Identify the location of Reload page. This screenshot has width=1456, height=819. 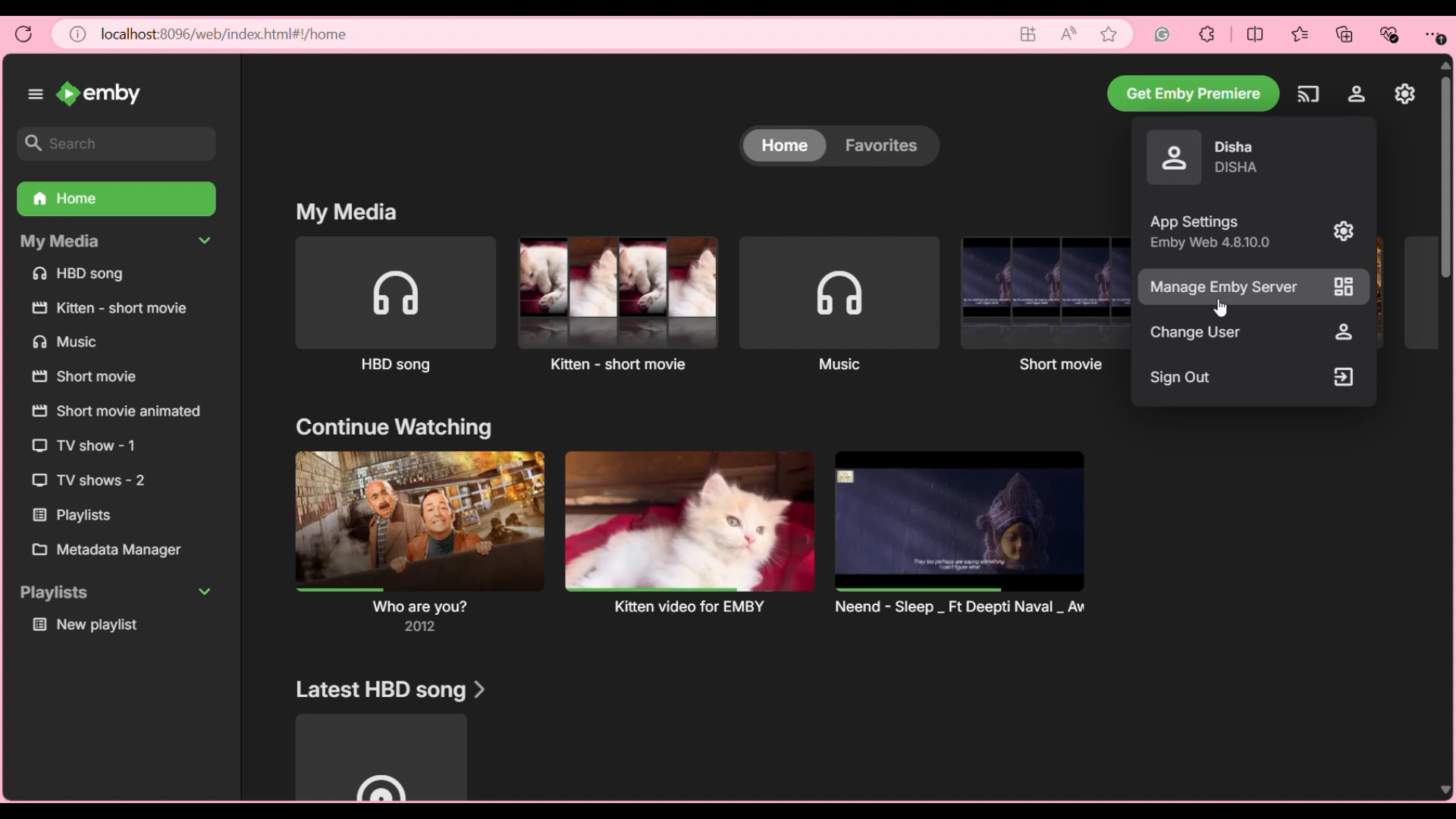
(24, 34).